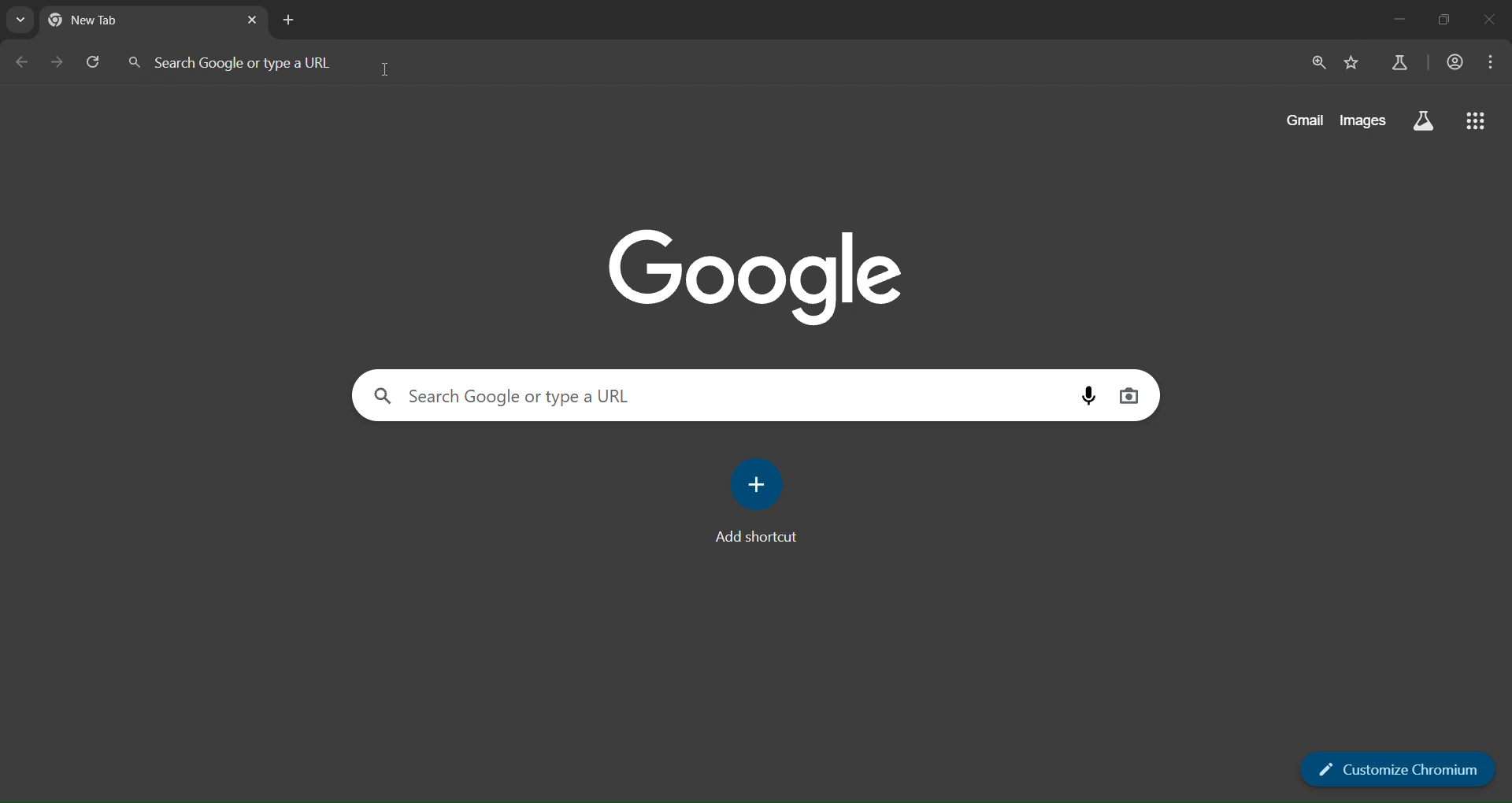 This screenshot has height=803, width=1512. I want to click on voice search, so click(1091, 396).